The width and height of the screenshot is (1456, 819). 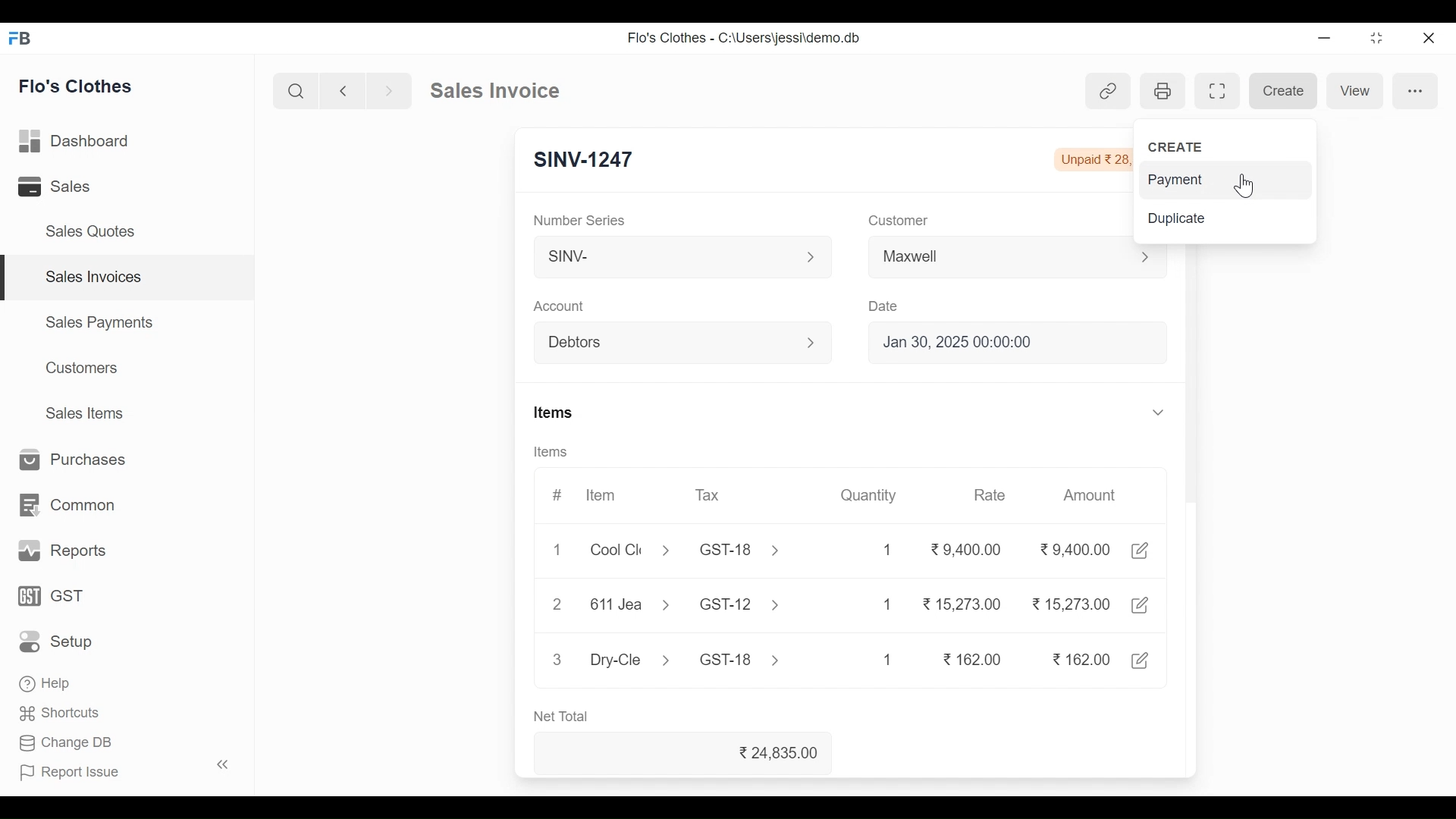 I want to click on #, so click(x=557, y=495).